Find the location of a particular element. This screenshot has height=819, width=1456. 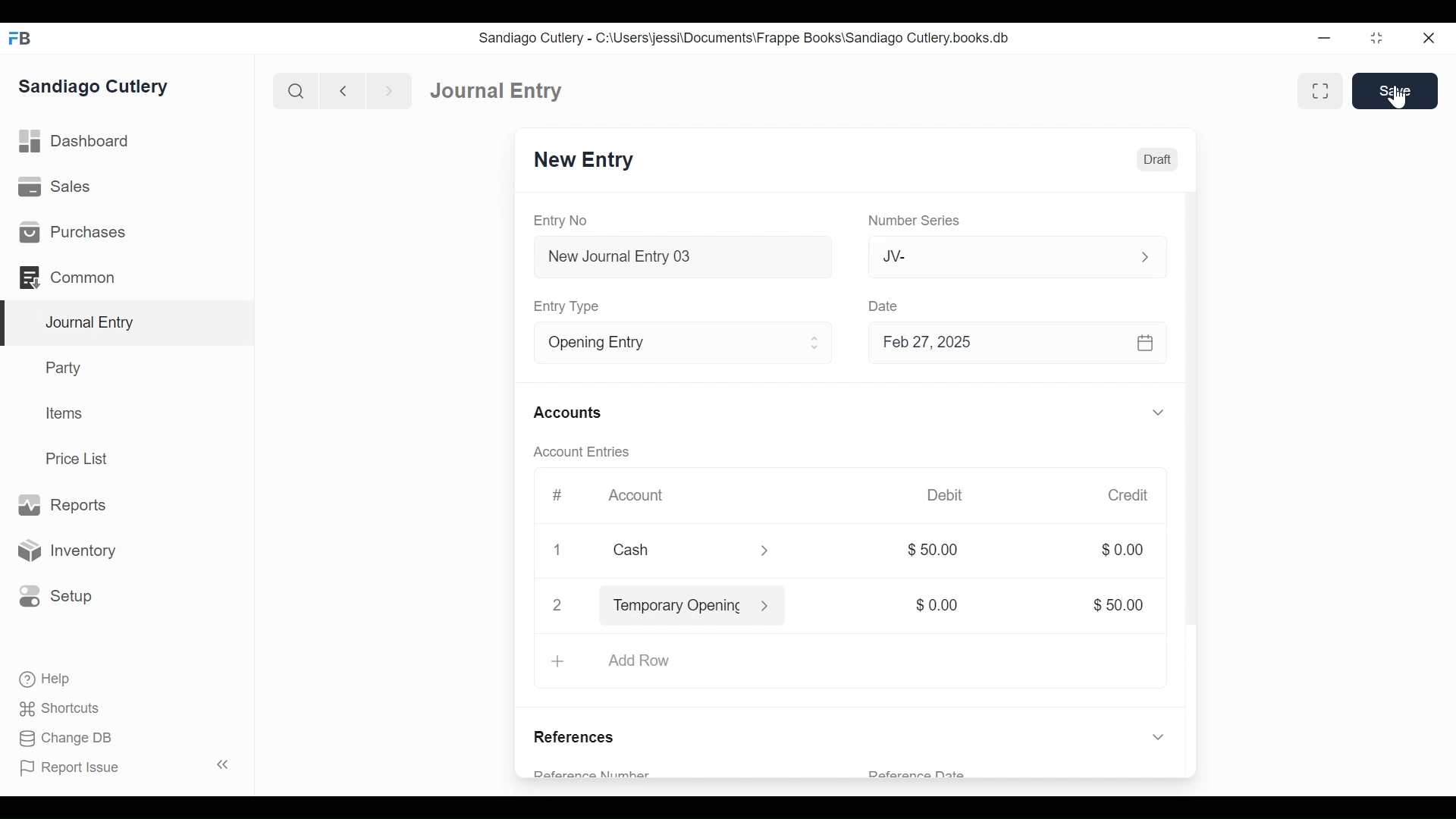

Sandiago Cutlery is located at coordinates (96, 88).